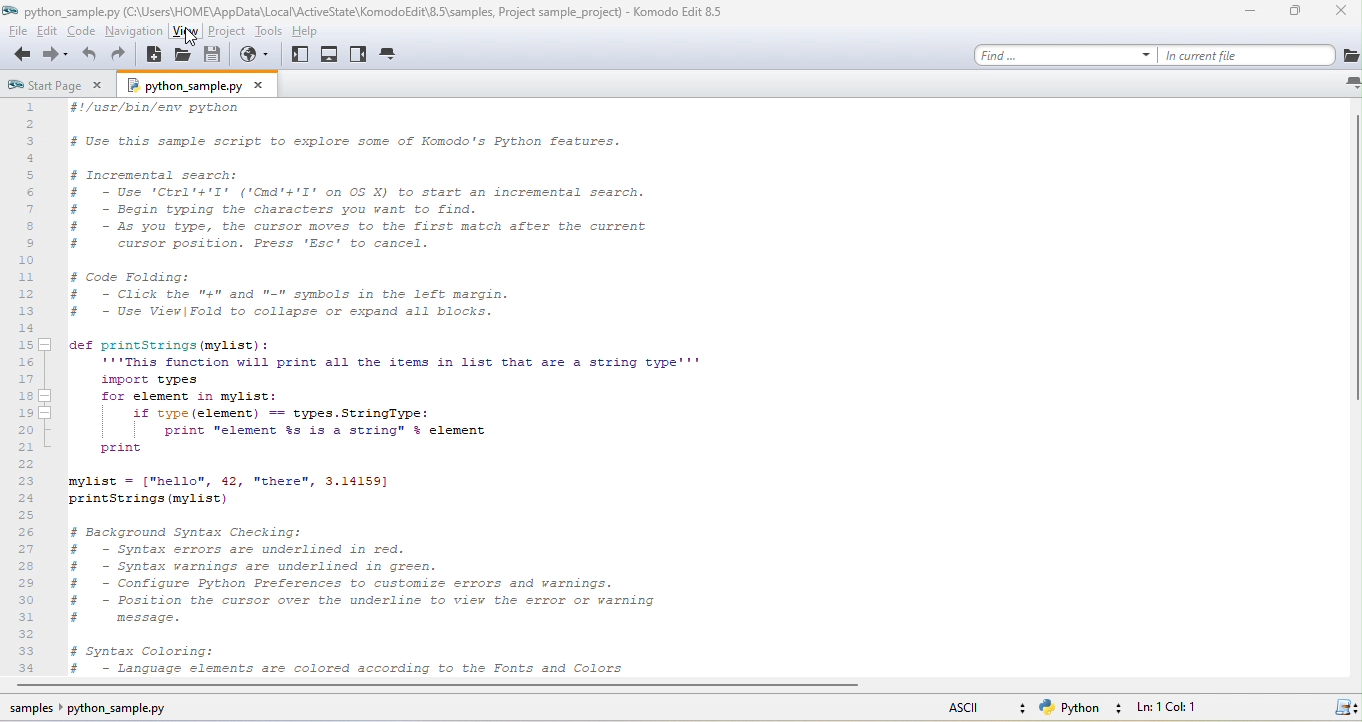 The image size is (1362, 722). I want to click on project, so click(234, 35).